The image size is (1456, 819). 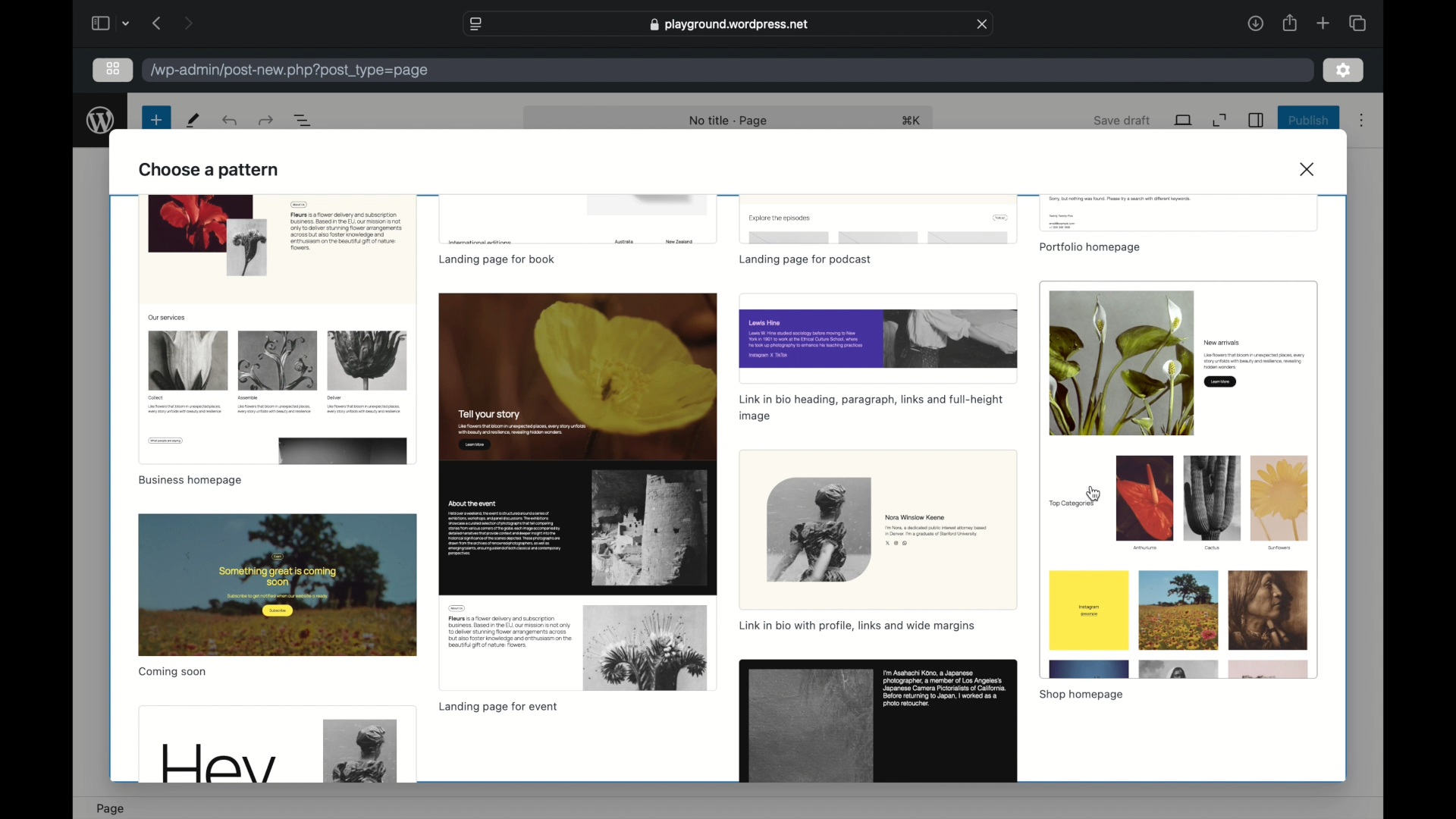 I want to click on wordpress address, so click(x=290, y=70).